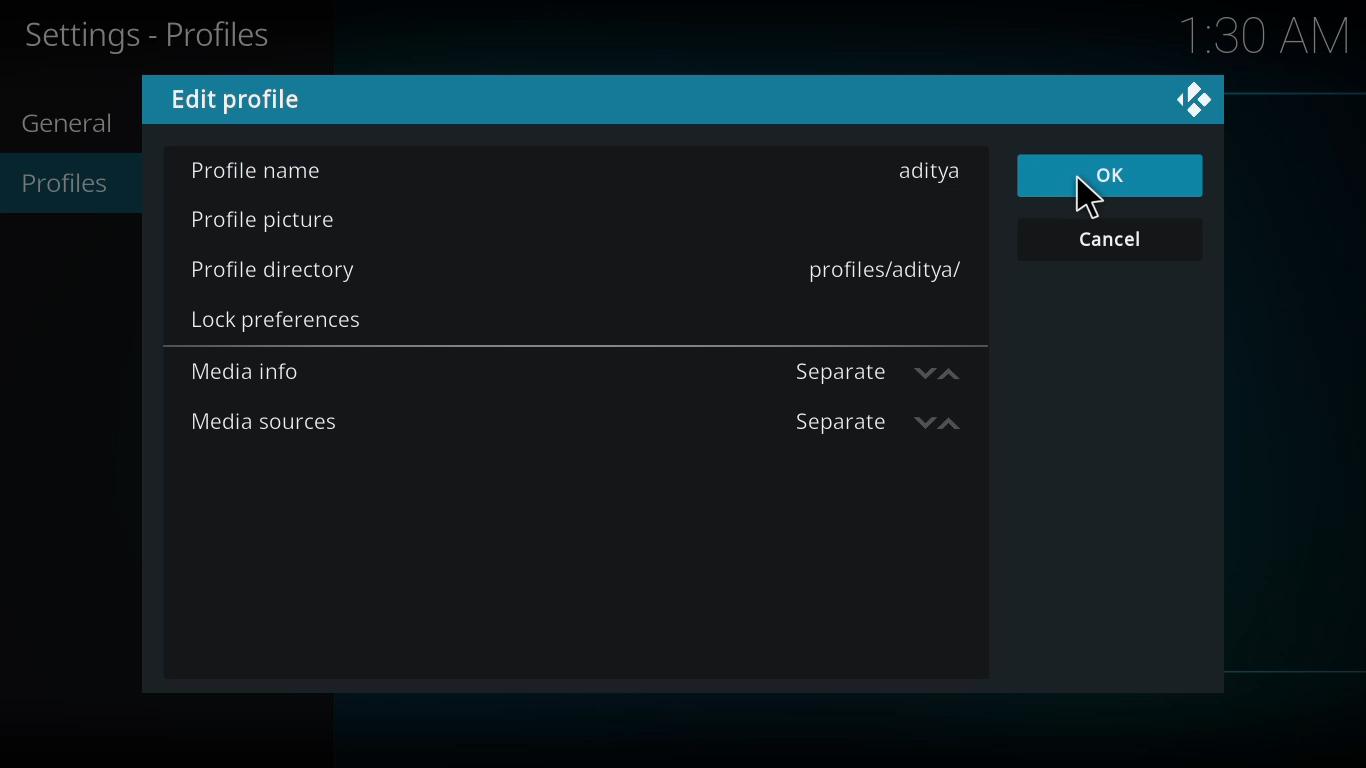  I want to click on edit profile, so click(240, 98).